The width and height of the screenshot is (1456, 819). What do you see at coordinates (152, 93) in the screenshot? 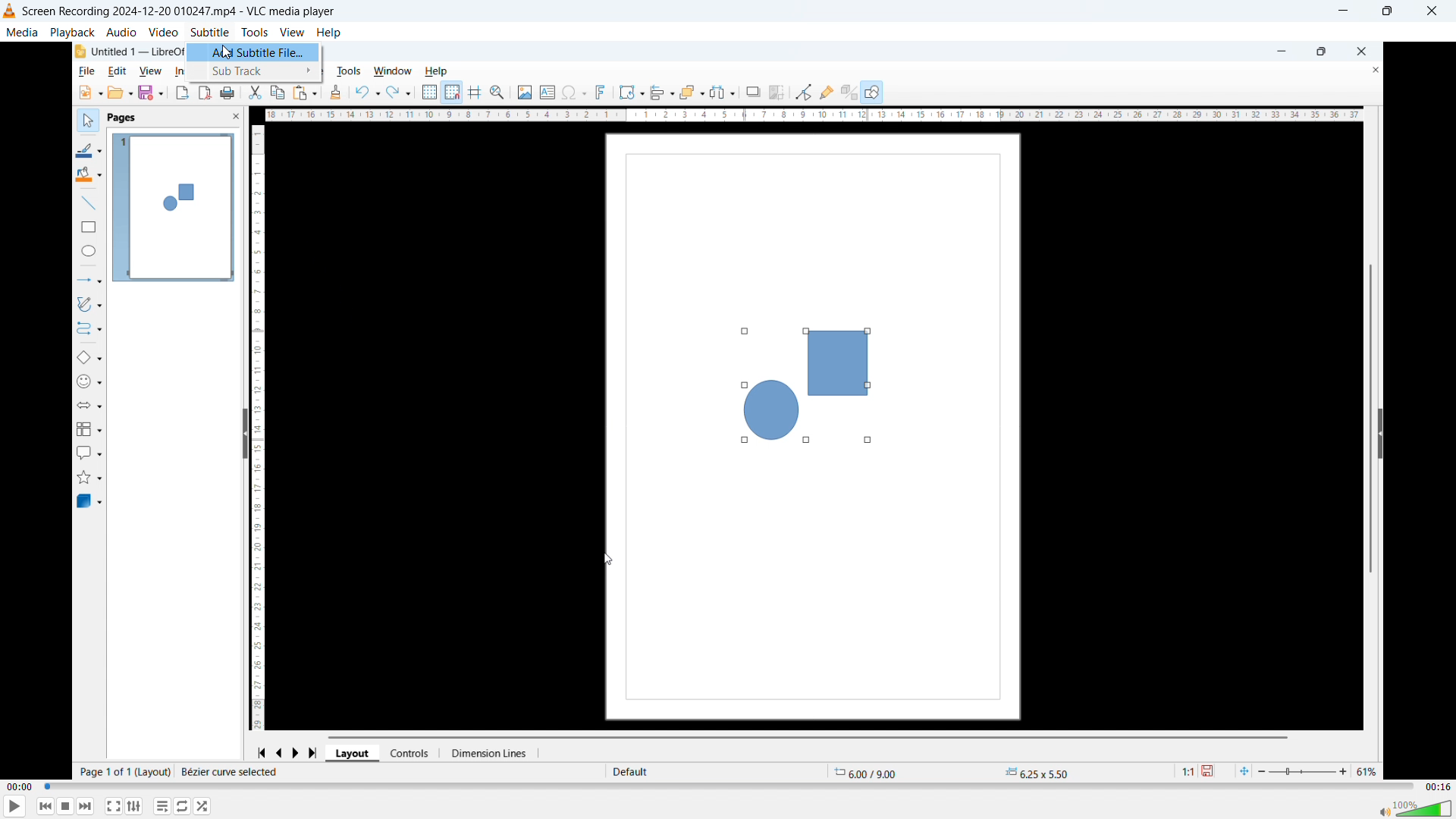
I see `save` at bounding box center [152, 93].